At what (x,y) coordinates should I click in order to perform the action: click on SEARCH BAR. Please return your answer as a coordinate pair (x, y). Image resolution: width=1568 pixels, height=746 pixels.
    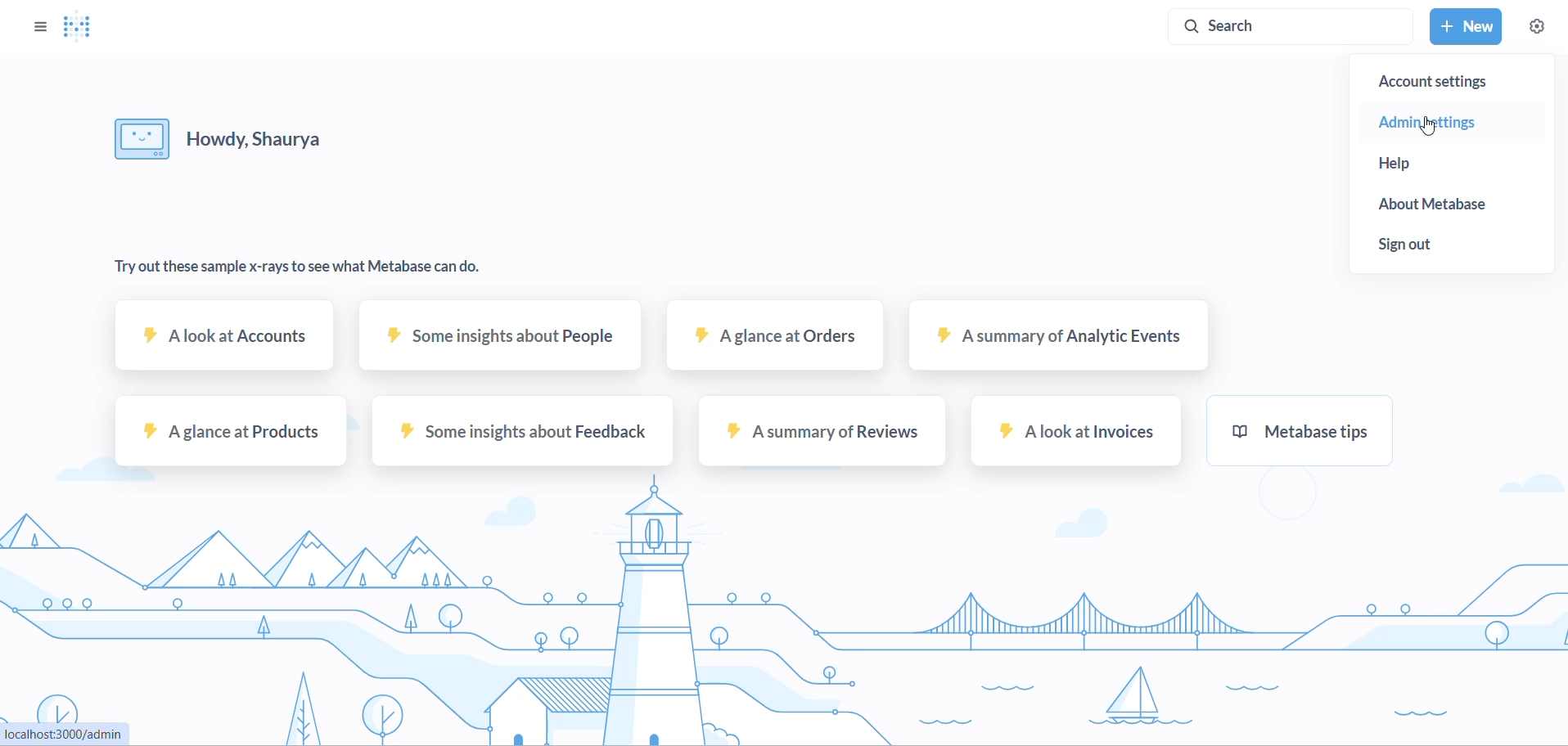
    Looking at the image, I should click on (1282, 24).